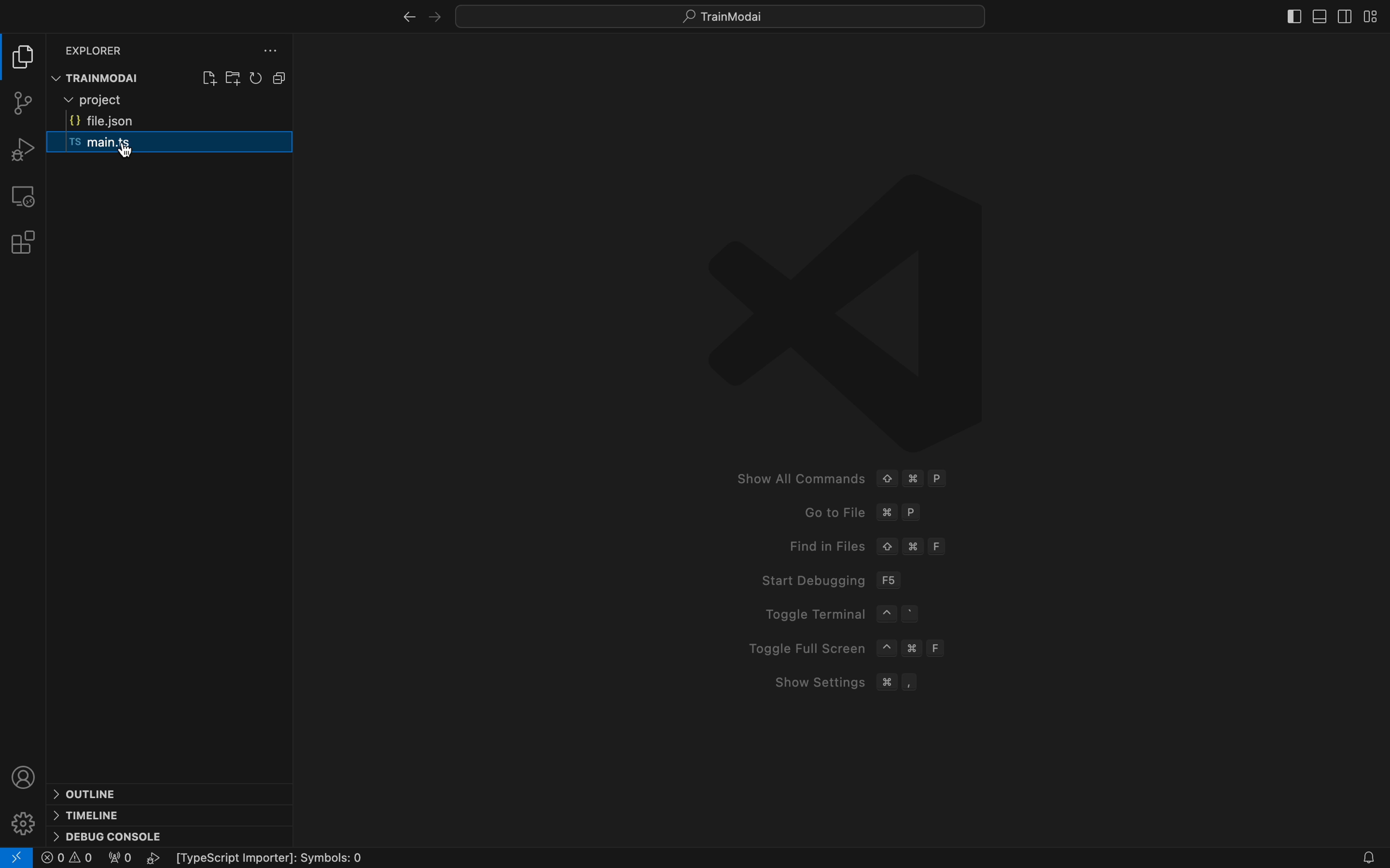 This screenshot has height=868, width=1390. I want to click on debug console, so click(128, 836).